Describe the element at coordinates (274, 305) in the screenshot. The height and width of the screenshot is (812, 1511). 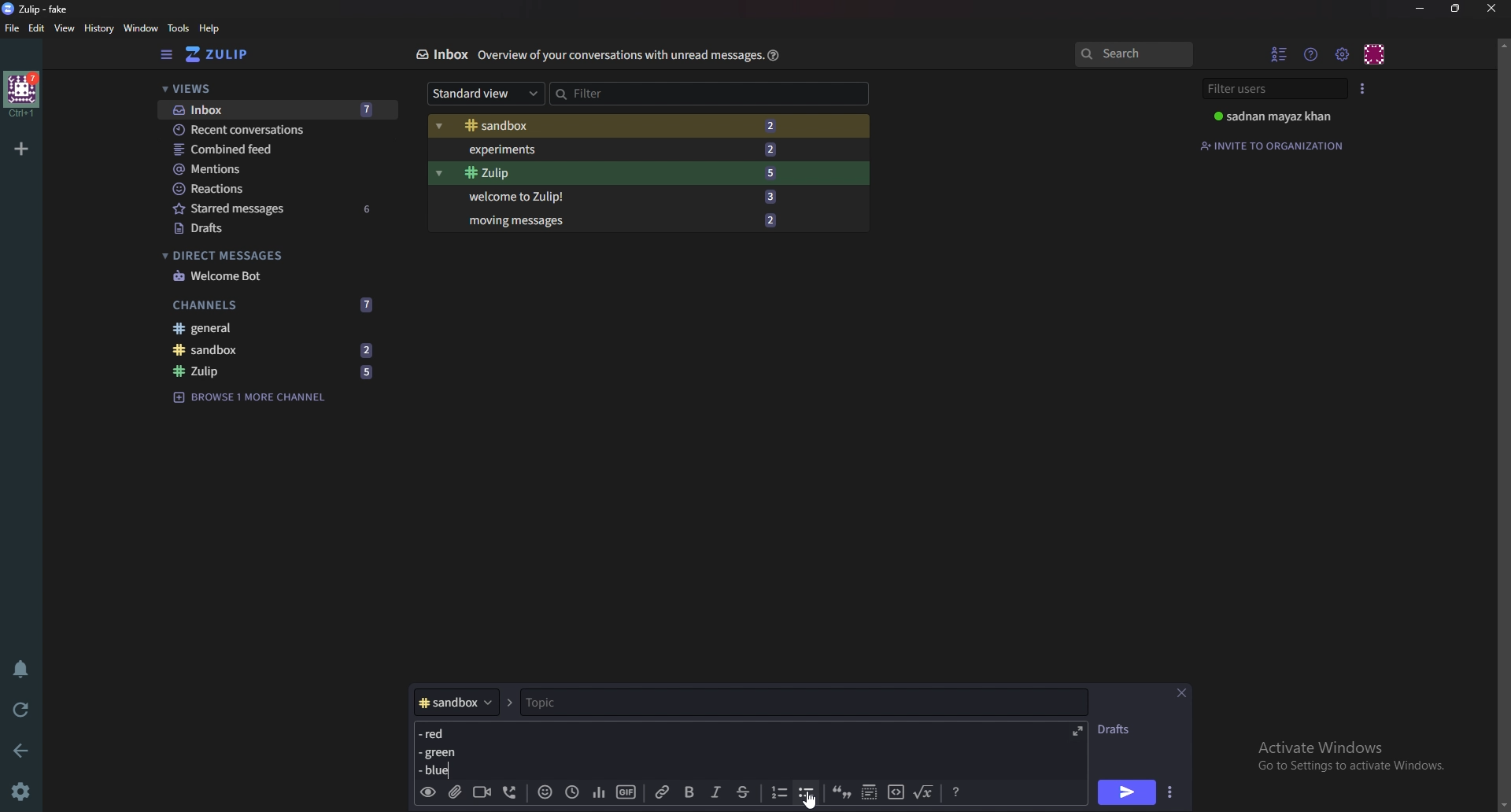
I see `Channels` at that location.